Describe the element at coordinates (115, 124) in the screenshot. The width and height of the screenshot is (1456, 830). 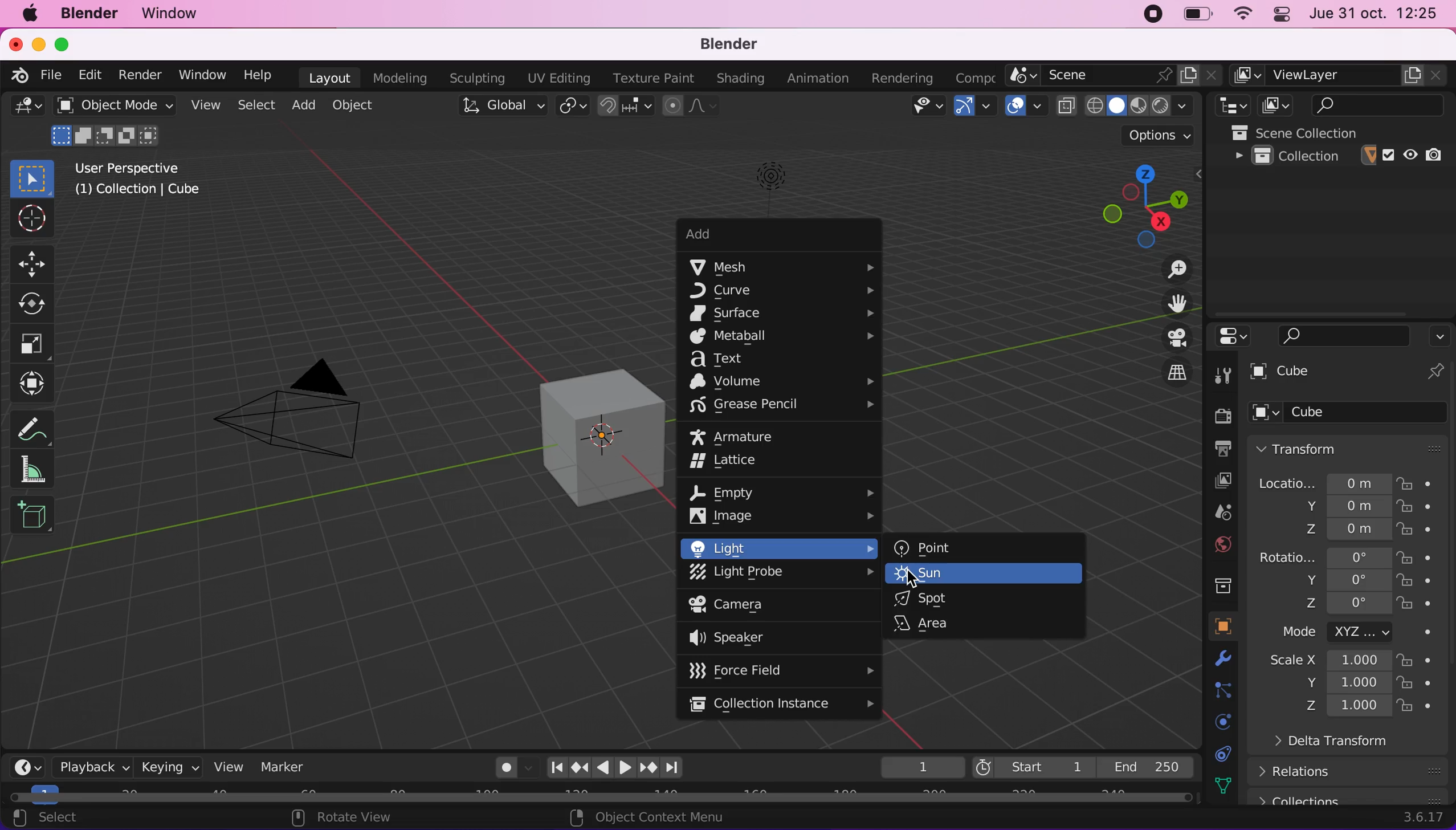
I see `object mode` at that location.